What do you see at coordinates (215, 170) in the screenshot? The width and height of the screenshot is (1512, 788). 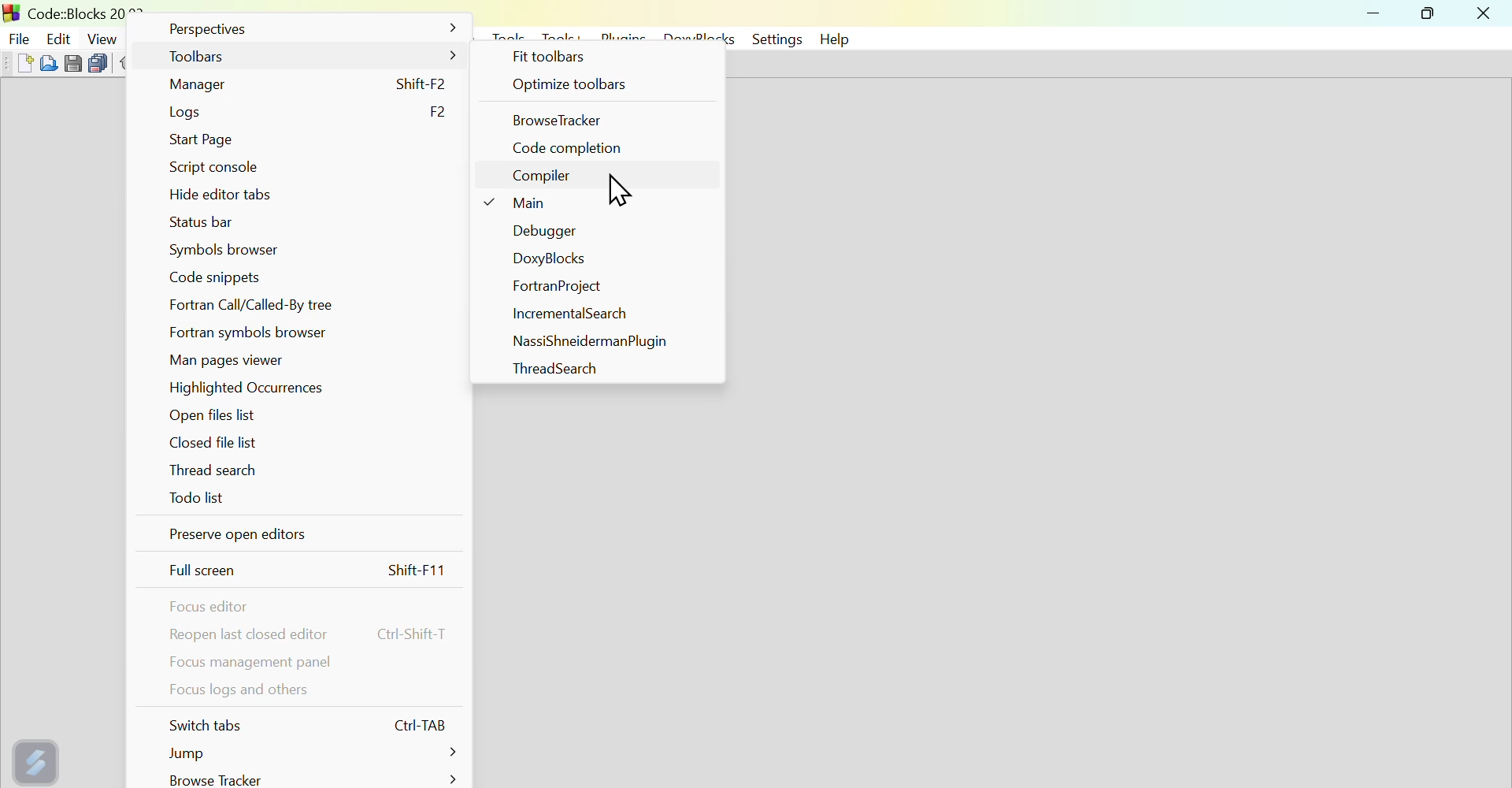 I see `Script console` at bounding box center [215, 170].